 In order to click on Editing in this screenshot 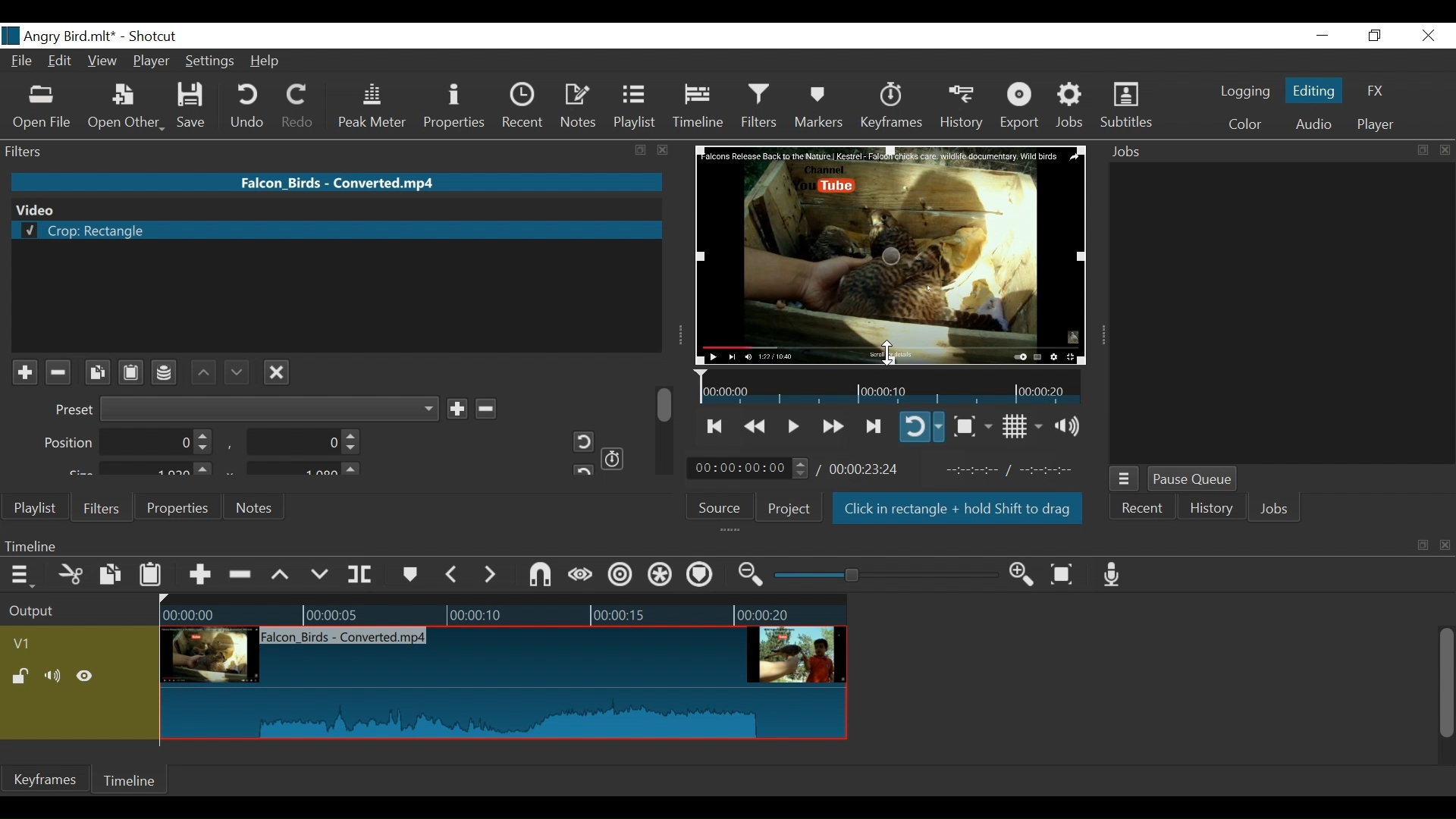, I will do `click(1316, 89)`.